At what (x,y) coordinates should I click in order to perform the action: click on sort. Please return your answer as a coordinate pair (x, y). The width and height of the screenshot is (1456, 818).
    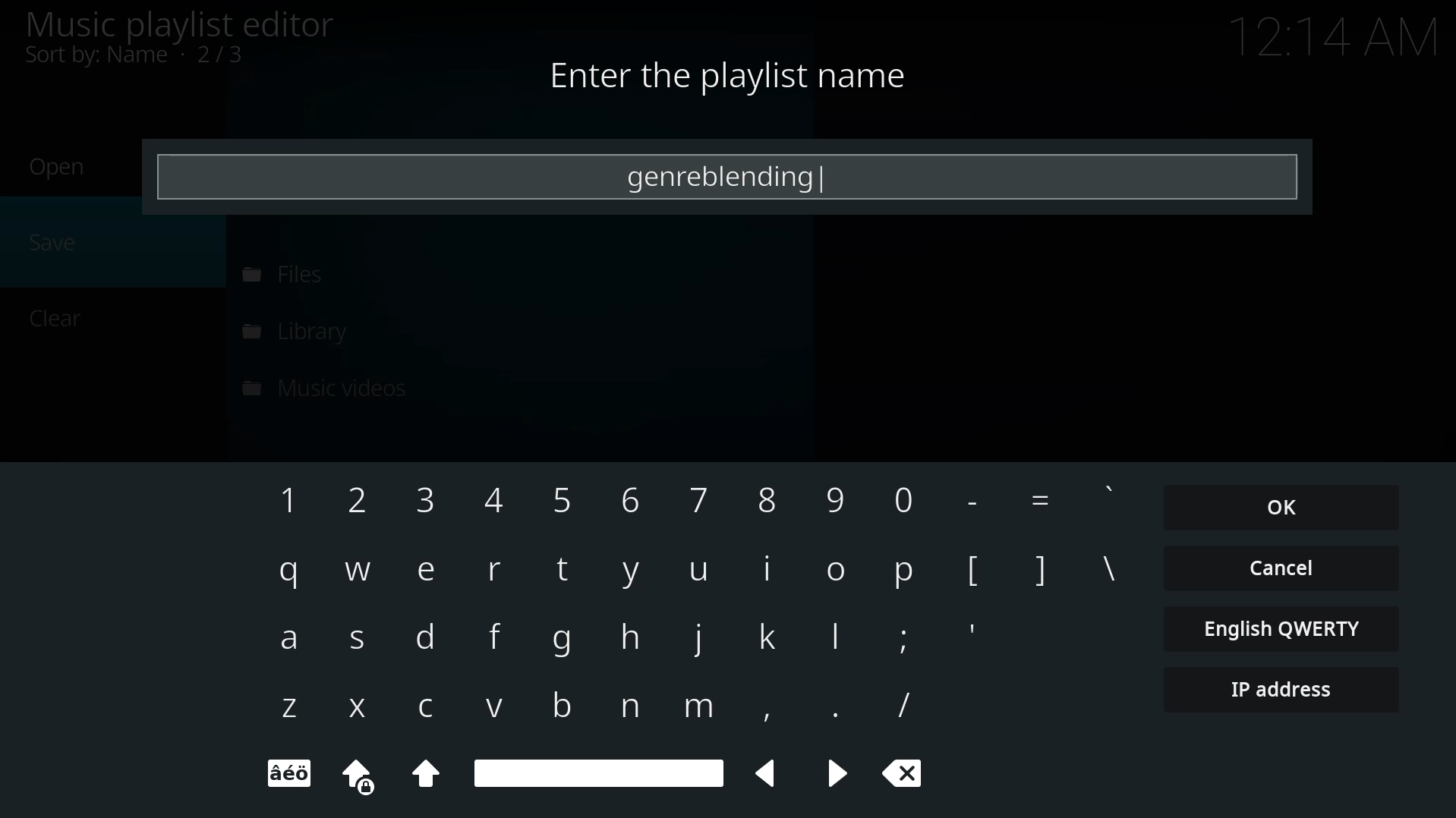
    Looking at the image, I should click on (138, 55).